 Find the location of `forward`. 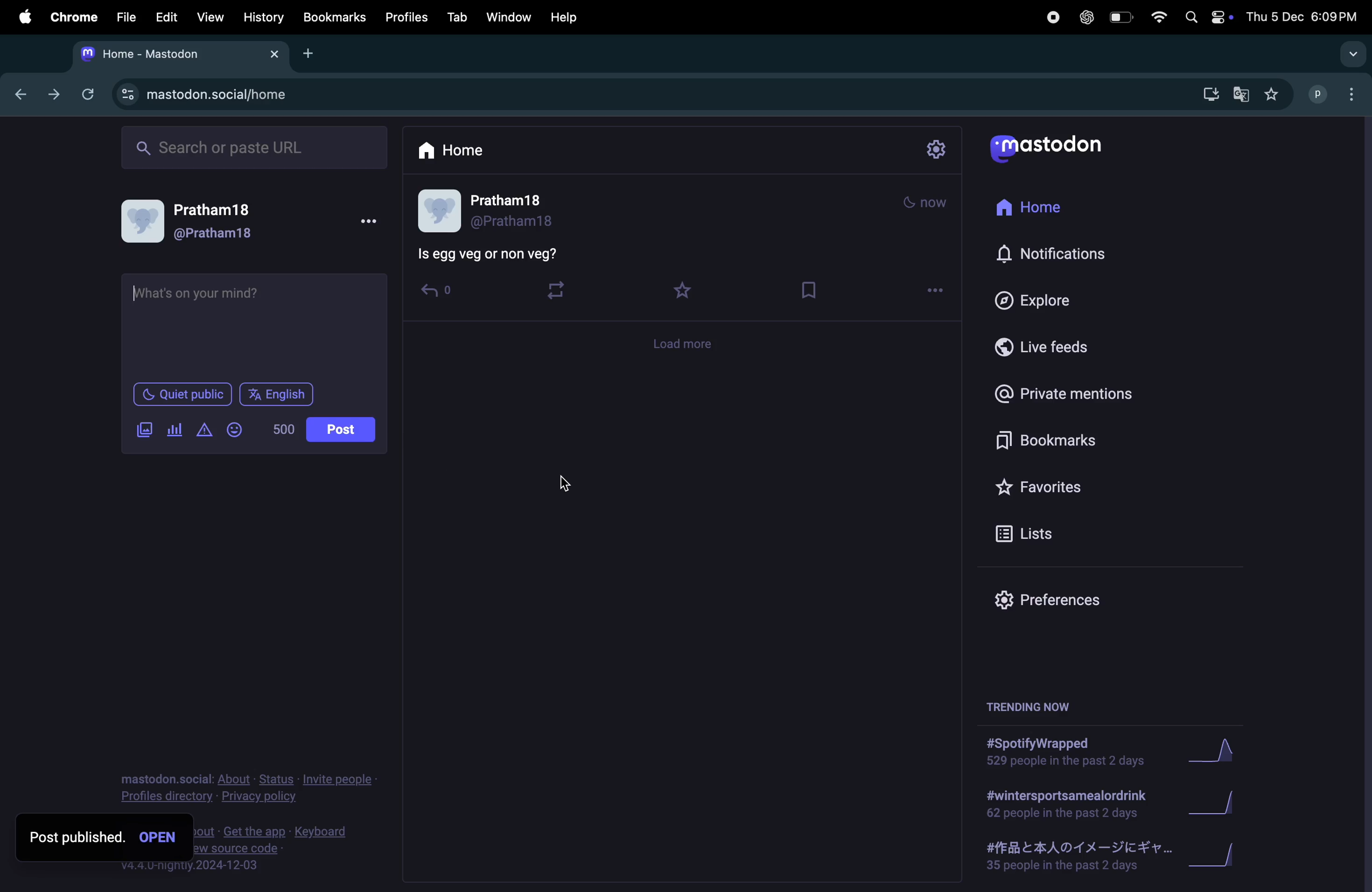

forward is located at coordinates (54, 95).